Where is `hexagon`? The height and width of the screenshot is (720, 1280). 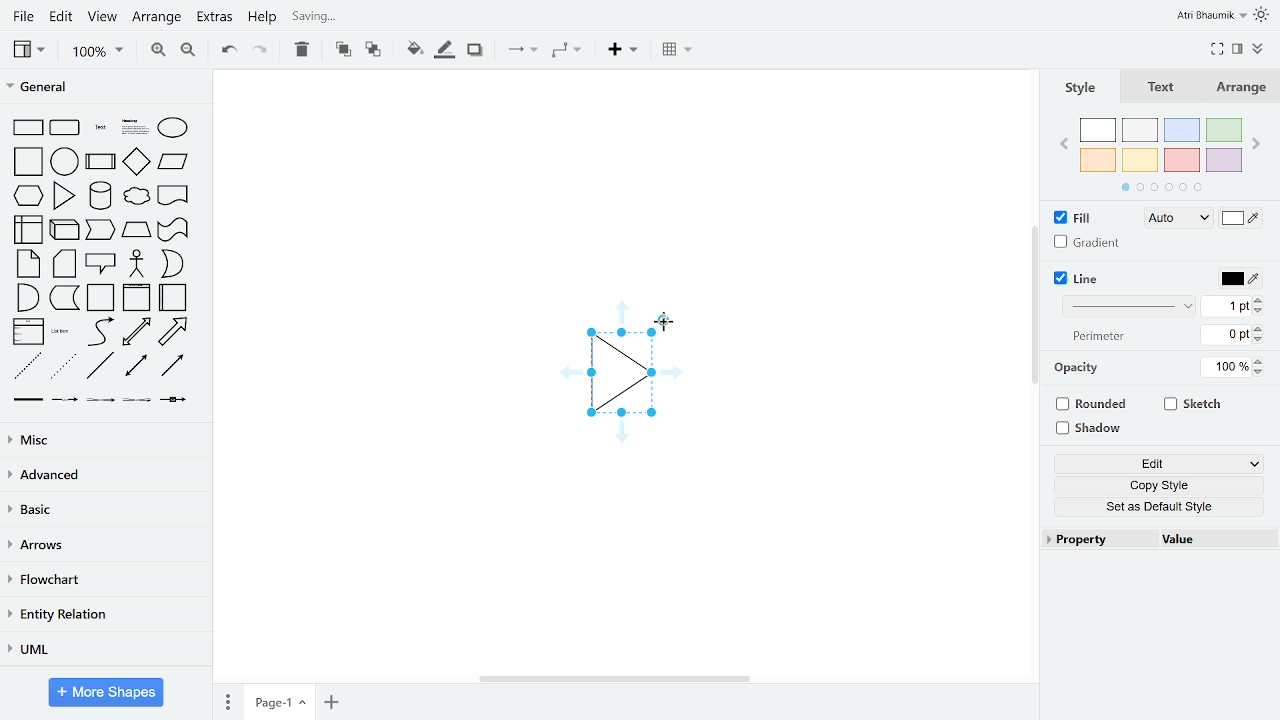 hexagon is located at coordinates (26, 195).